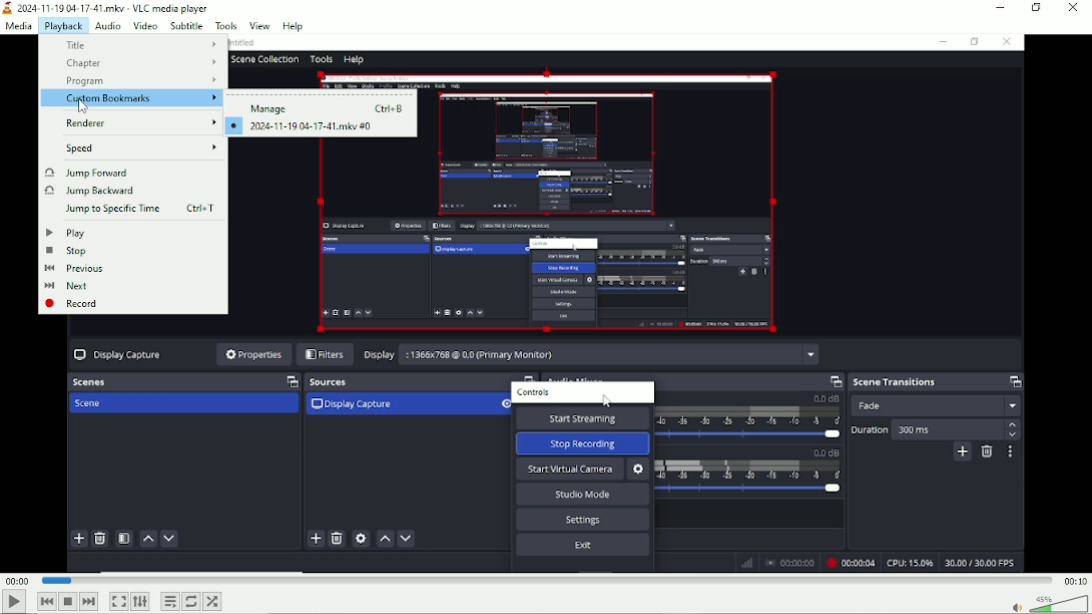 The width and height of the screenshot is (1092, 614). I want to click on Speed, so click(137, 148).